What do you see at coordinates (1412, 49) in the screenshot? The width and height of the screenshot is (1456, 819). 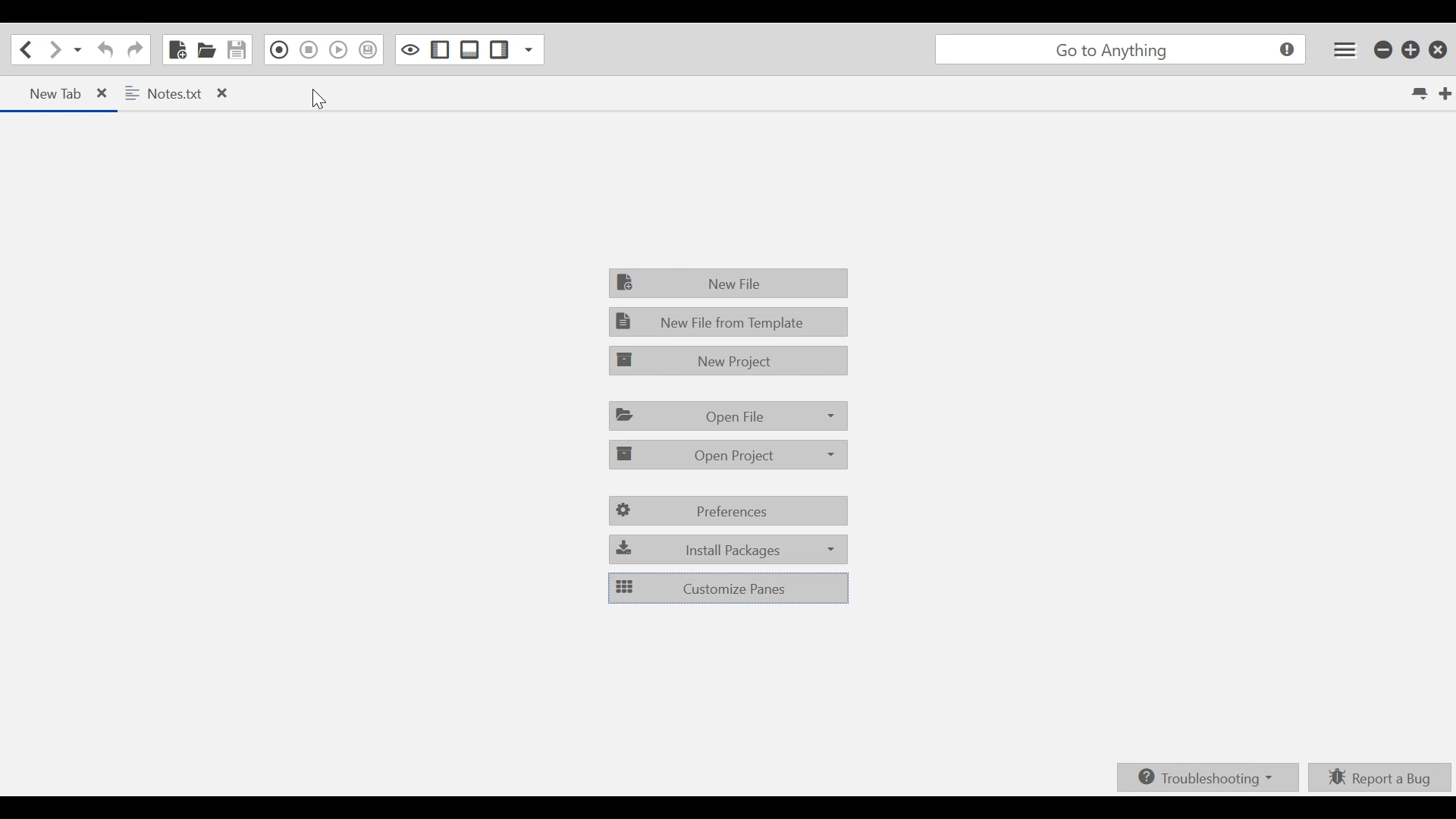 I see `restore` at bounding box center [1412, 49].